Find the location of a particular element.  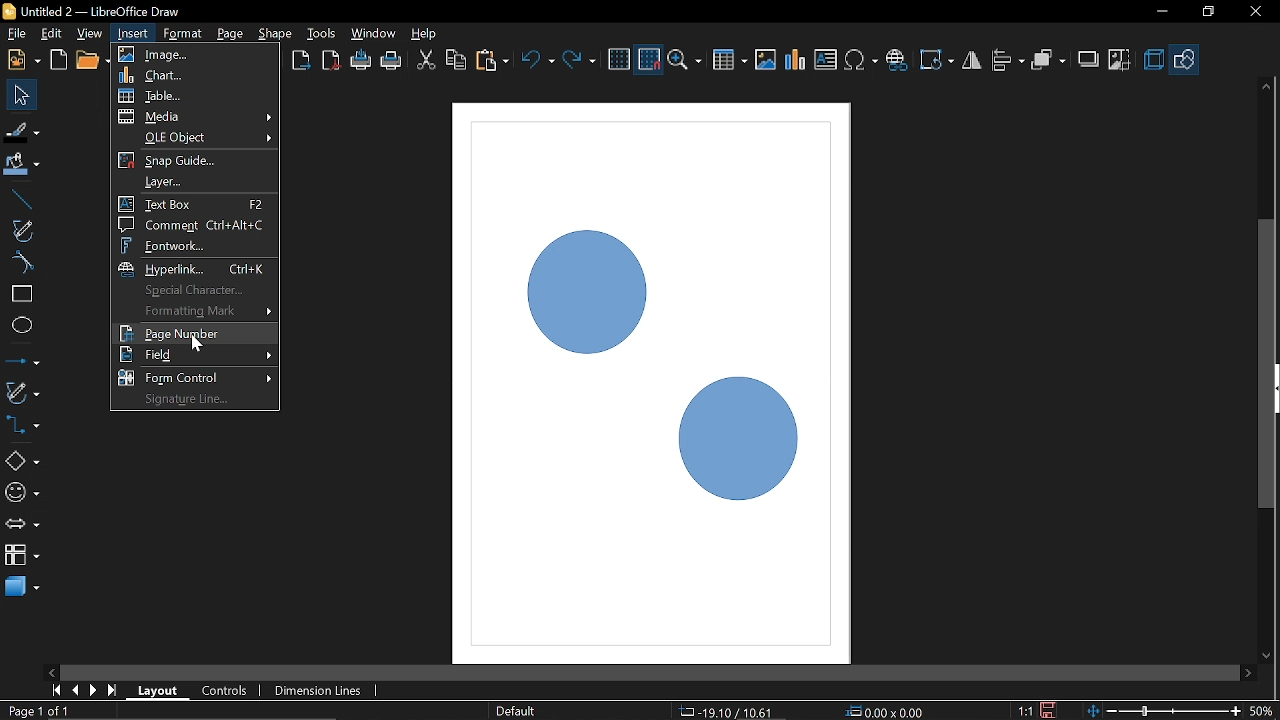

Rectangle is located at coordinates (21, 294).